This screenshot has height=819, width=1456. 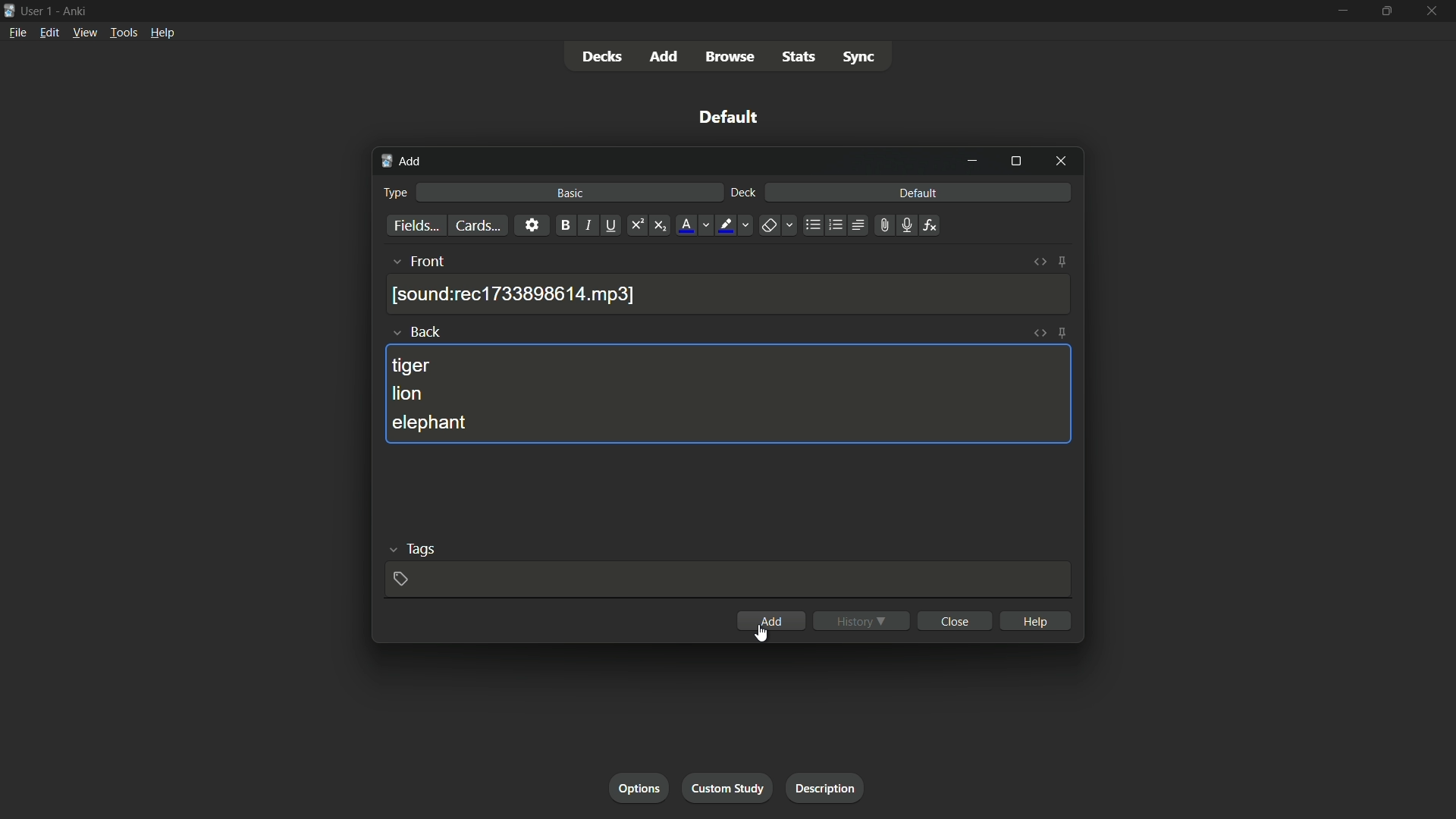 What do you see at coordinates (1387, 11) in the screenshot?
I see `maximize` at bounding box center [1387, 11].